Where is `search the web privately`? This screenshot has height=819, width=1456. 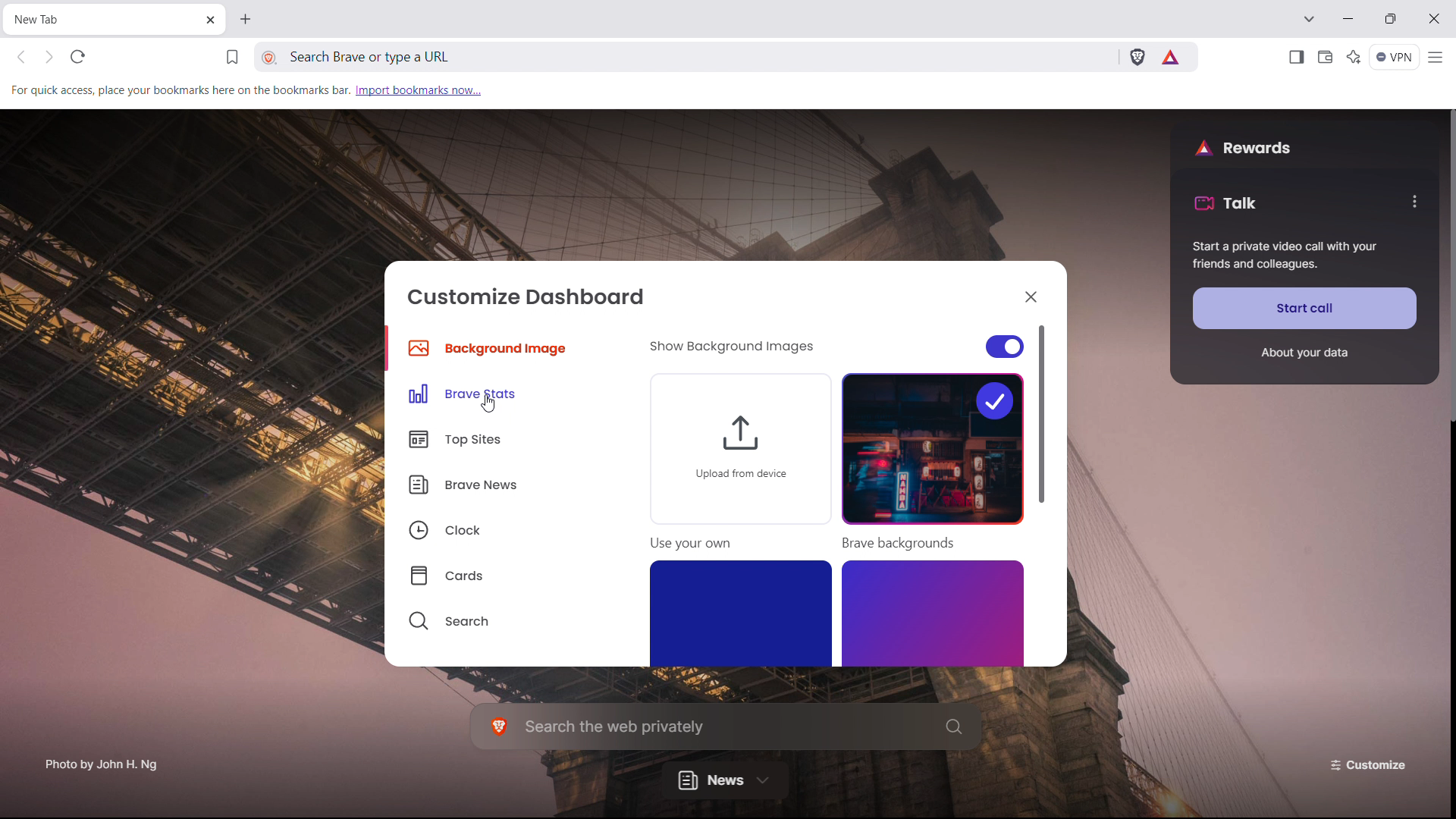 search the web privately is located at coordinates (726, 726).